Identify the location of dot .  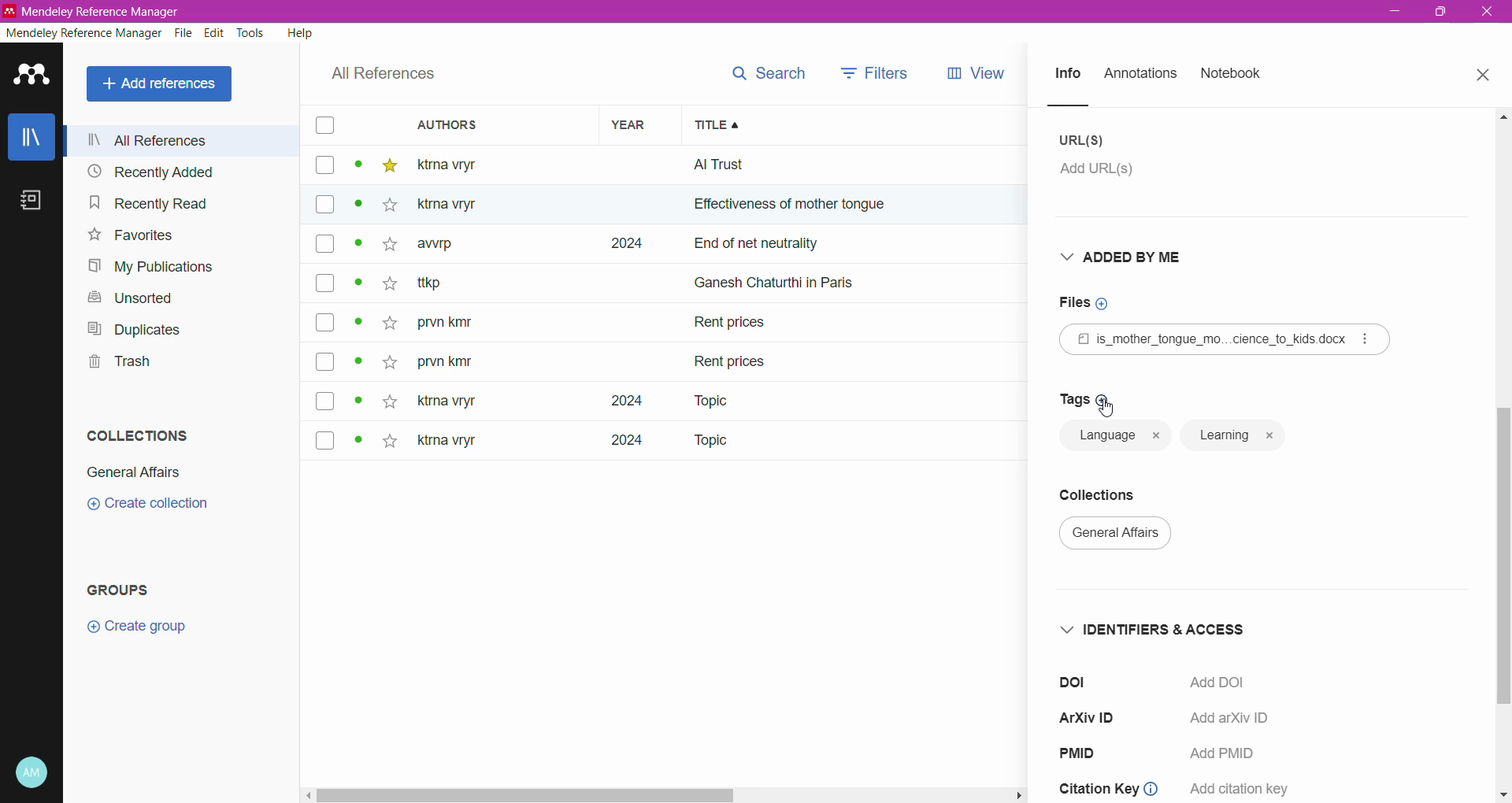
(358, 366).